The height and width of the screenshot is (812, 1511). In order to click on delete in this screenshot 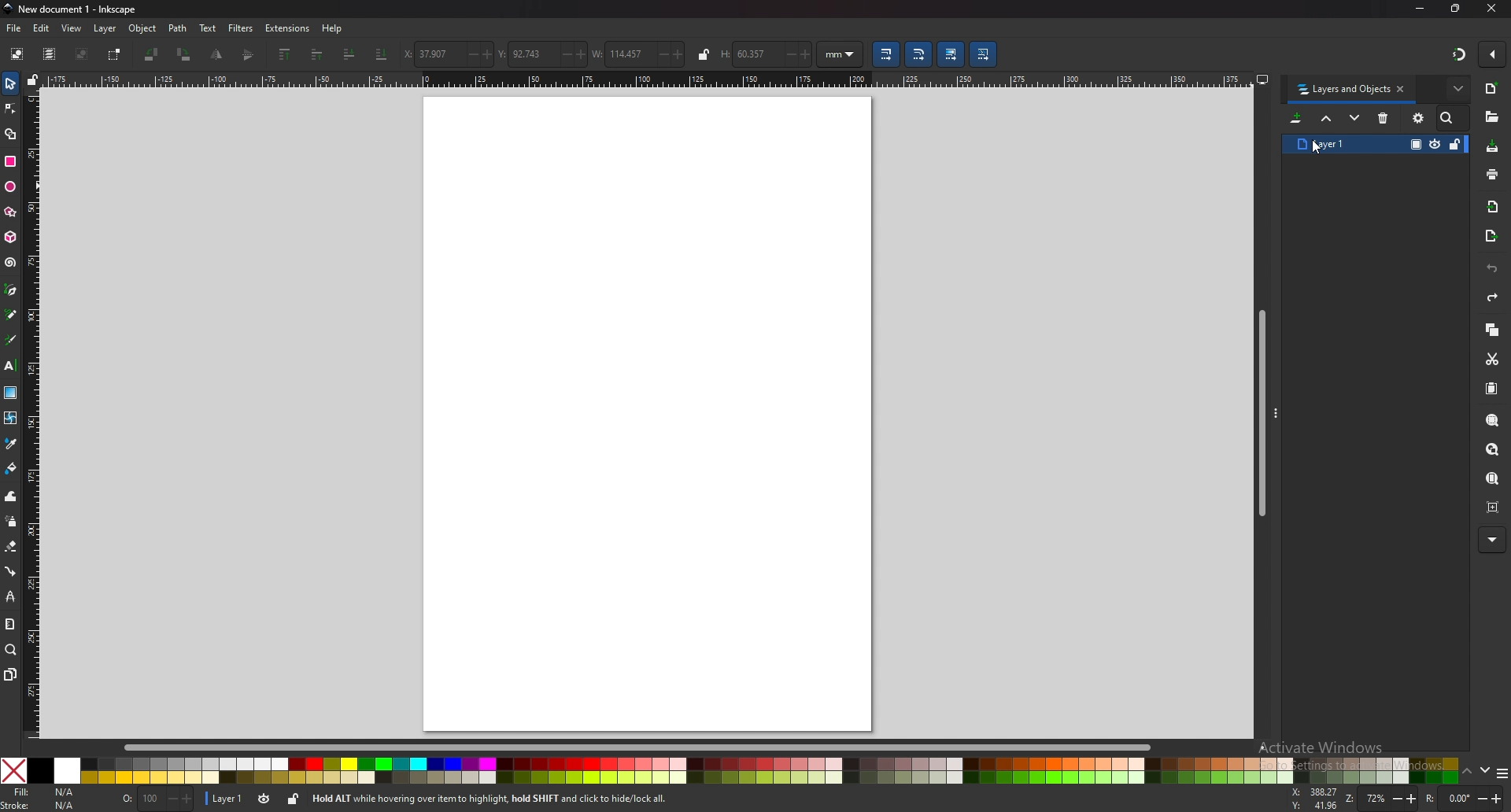, I will do `click(1384, 118)`.